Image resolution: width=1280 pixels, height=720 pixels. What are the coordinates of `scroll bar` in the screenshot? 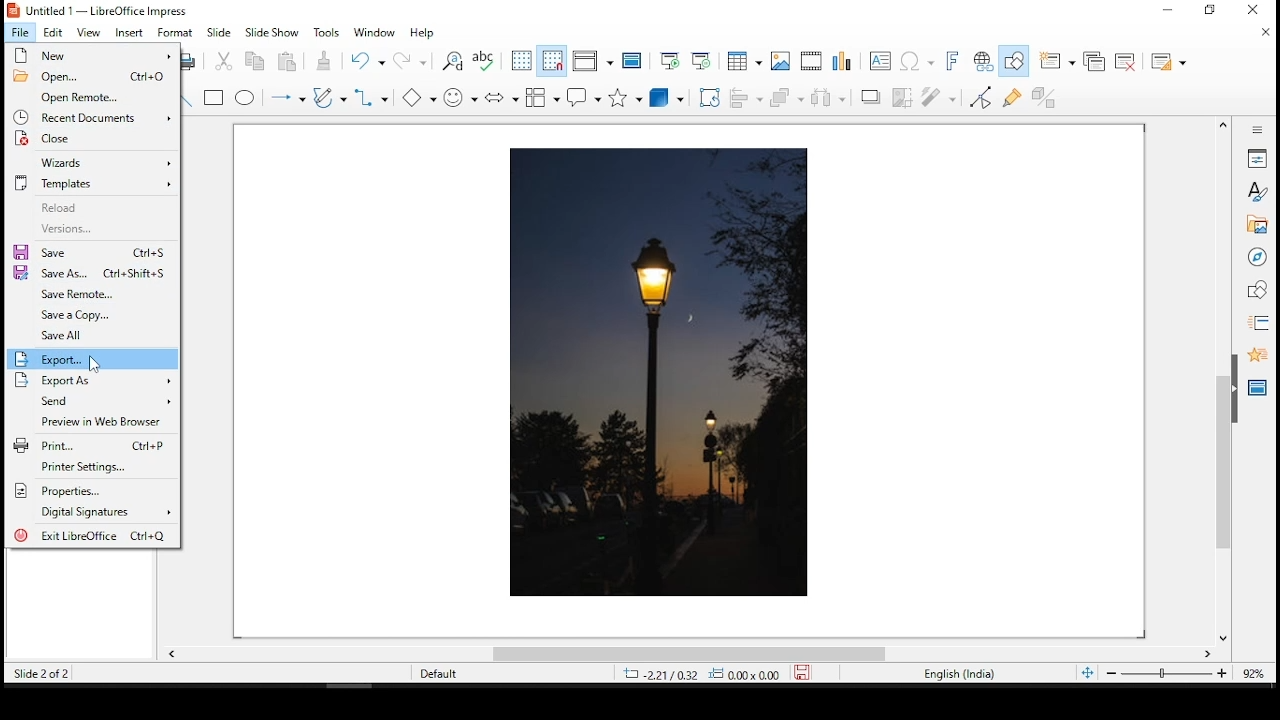 It's located at (1223, 381).